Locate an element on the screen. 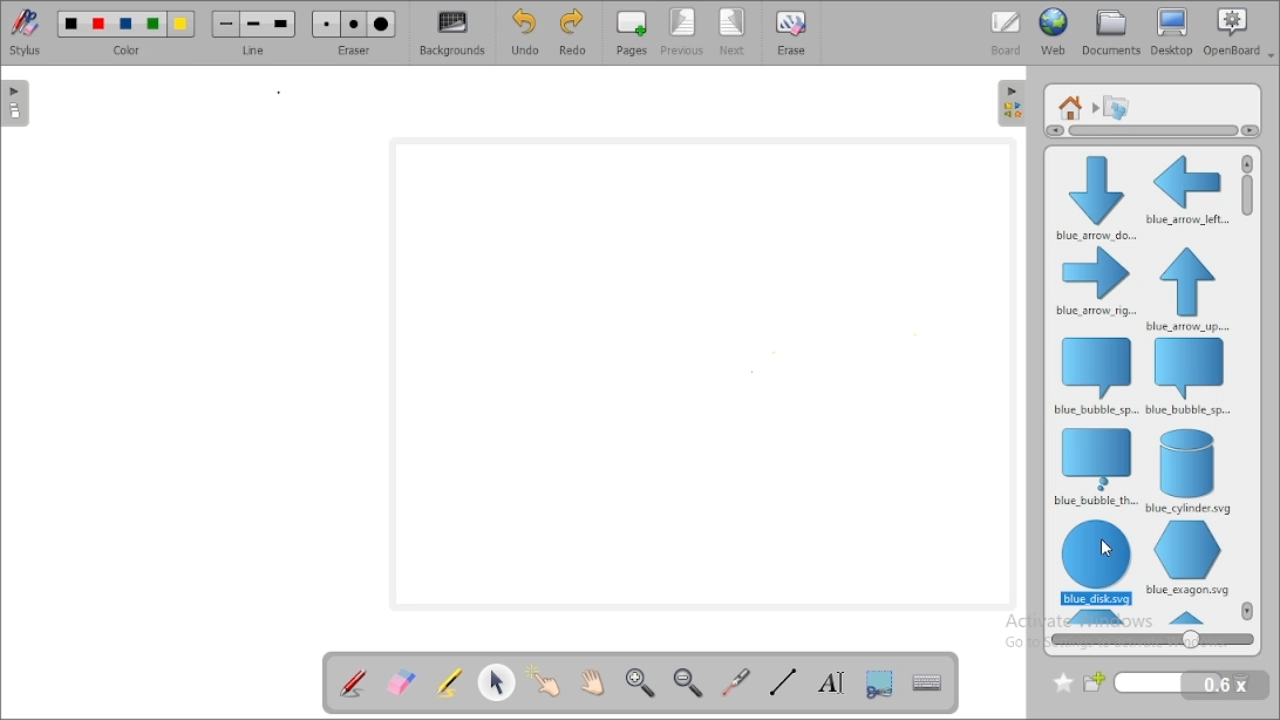 This screenshot has height=720, width=1280. add to favorites is located at coordinates (1063, 683).